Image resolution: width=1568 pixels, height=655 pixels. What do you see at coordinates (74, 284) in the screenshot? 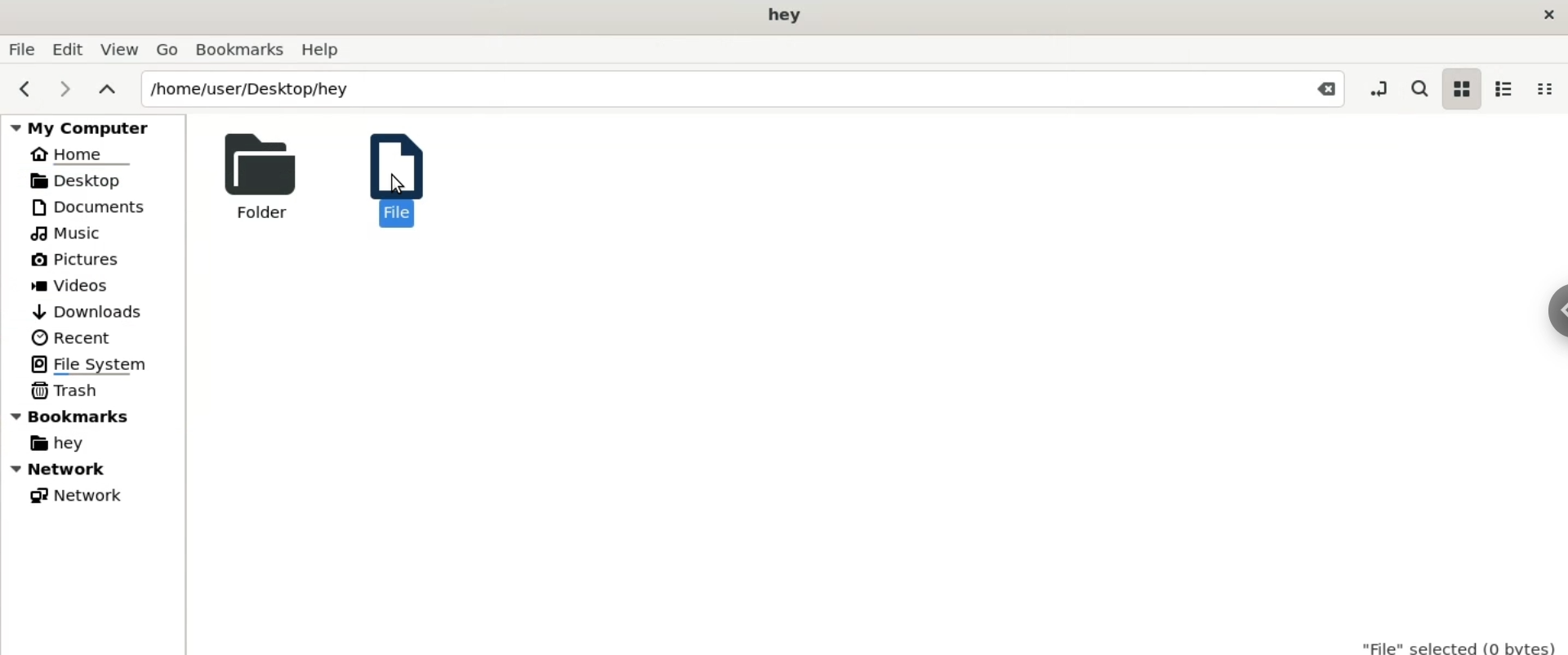
I see `videos` at bounding box center [74, 284].